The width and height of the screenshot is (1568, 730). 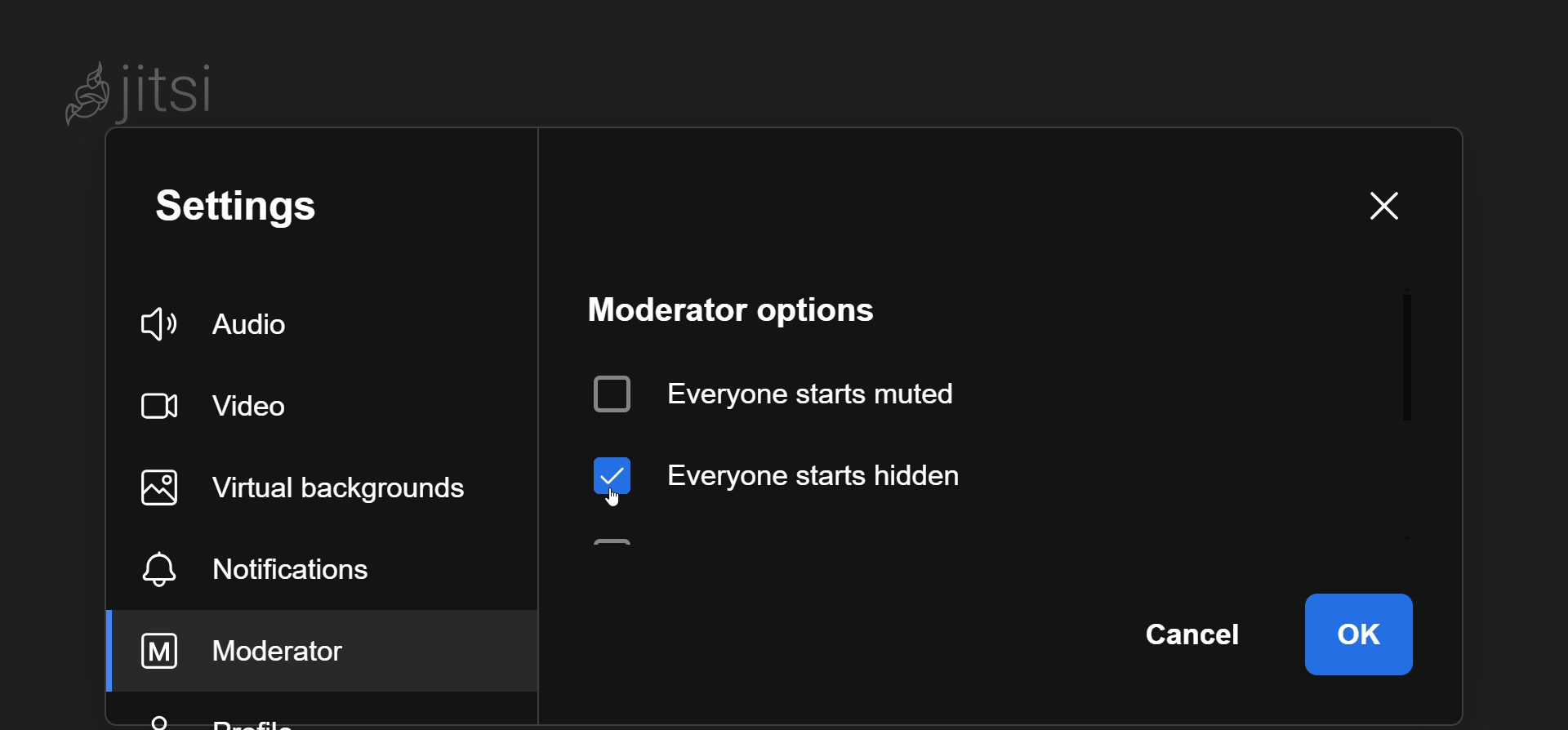 What do you see at coordinates (244, 208) in the screenshot?
I see `setting` at bounding box center [244, 208].